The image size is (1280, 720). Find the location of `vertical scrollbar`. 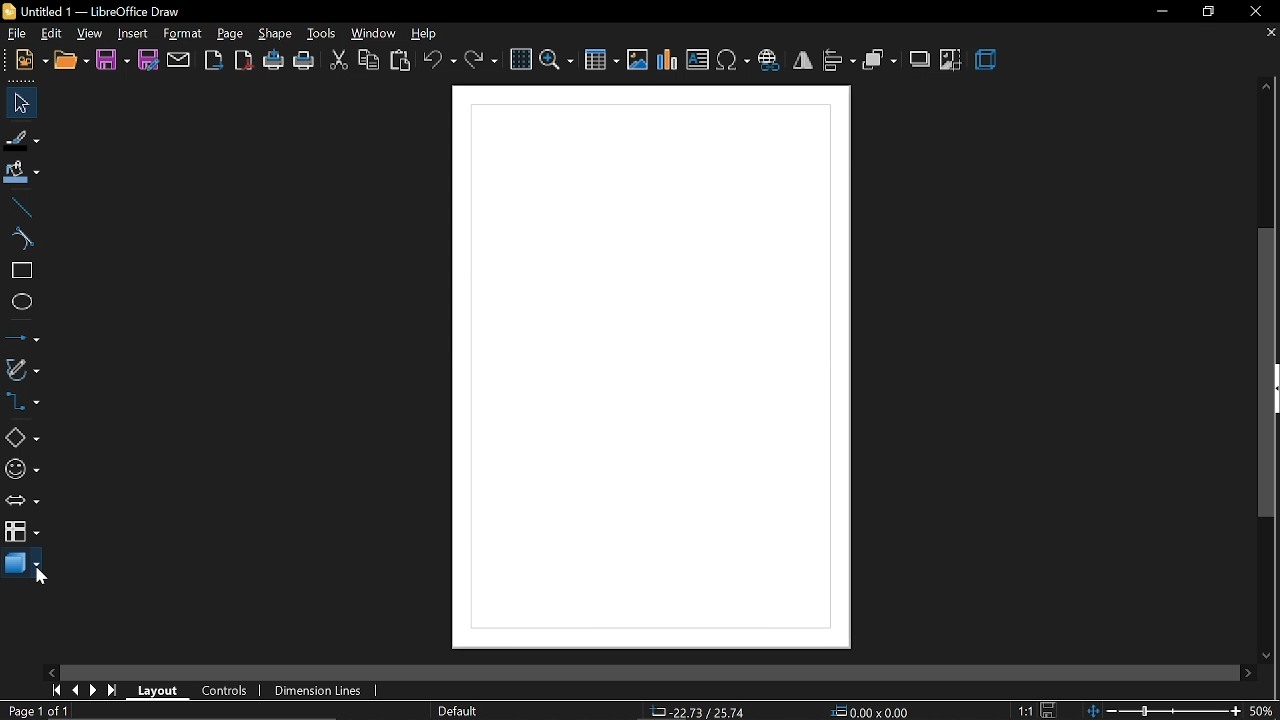

vertical scrollbar is located at coordinates (1269, 373).